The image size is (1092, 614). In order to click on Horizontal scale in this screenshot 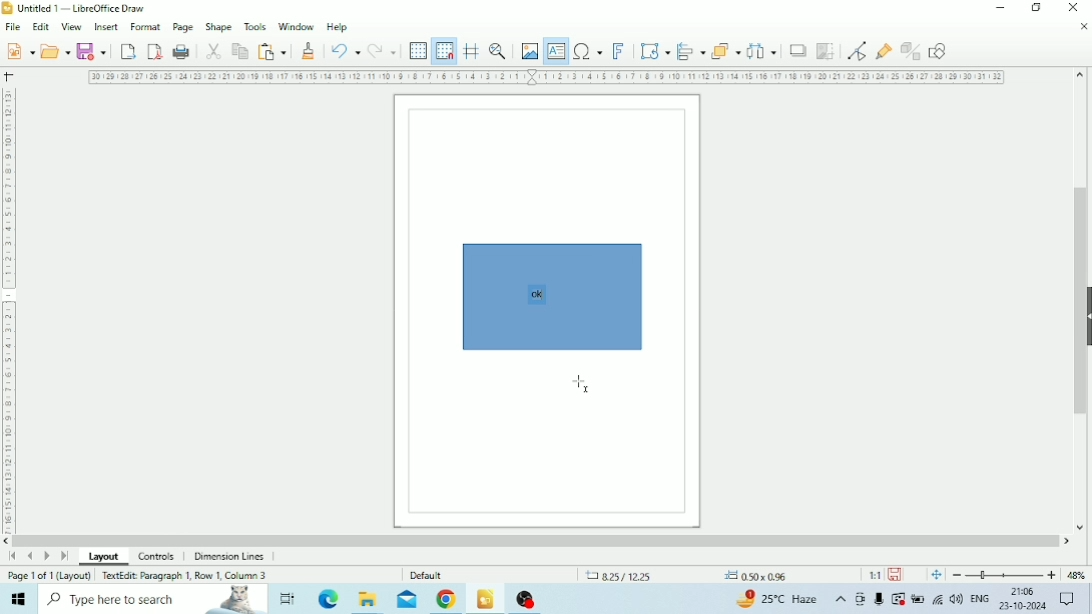, I will do `click(548, 78)`.